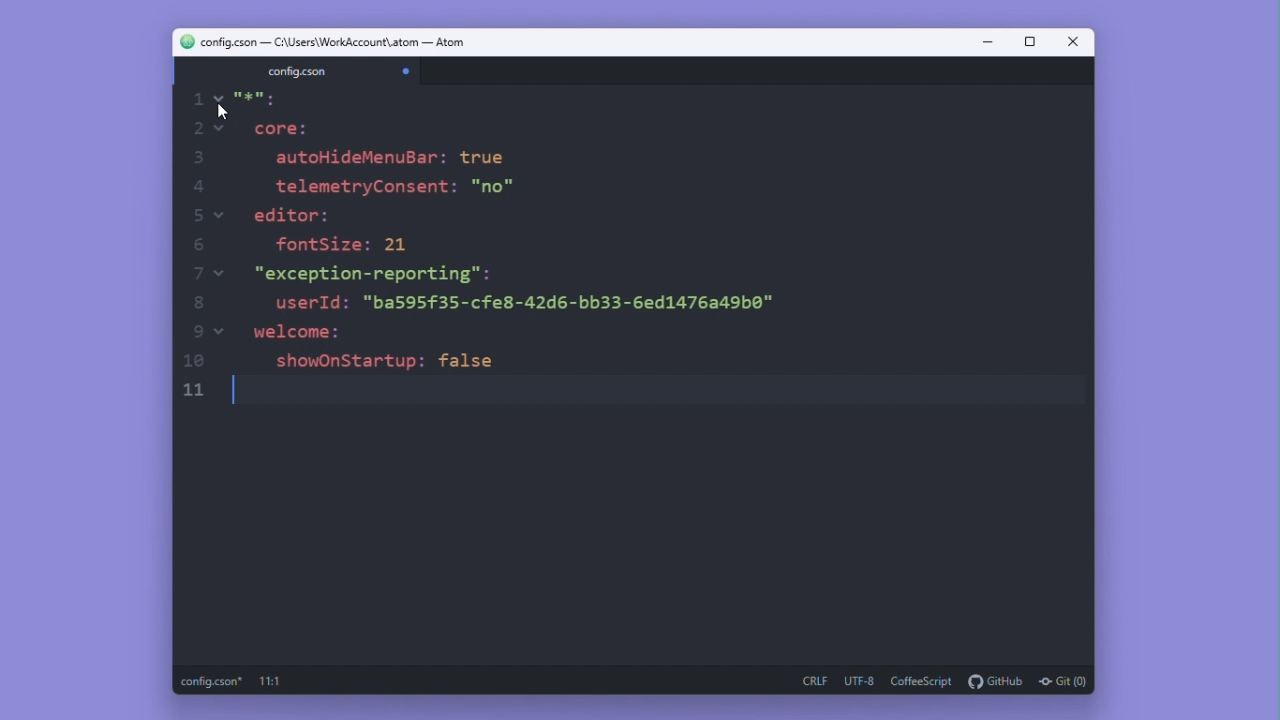  I want to click on scale, so click(193, 247).